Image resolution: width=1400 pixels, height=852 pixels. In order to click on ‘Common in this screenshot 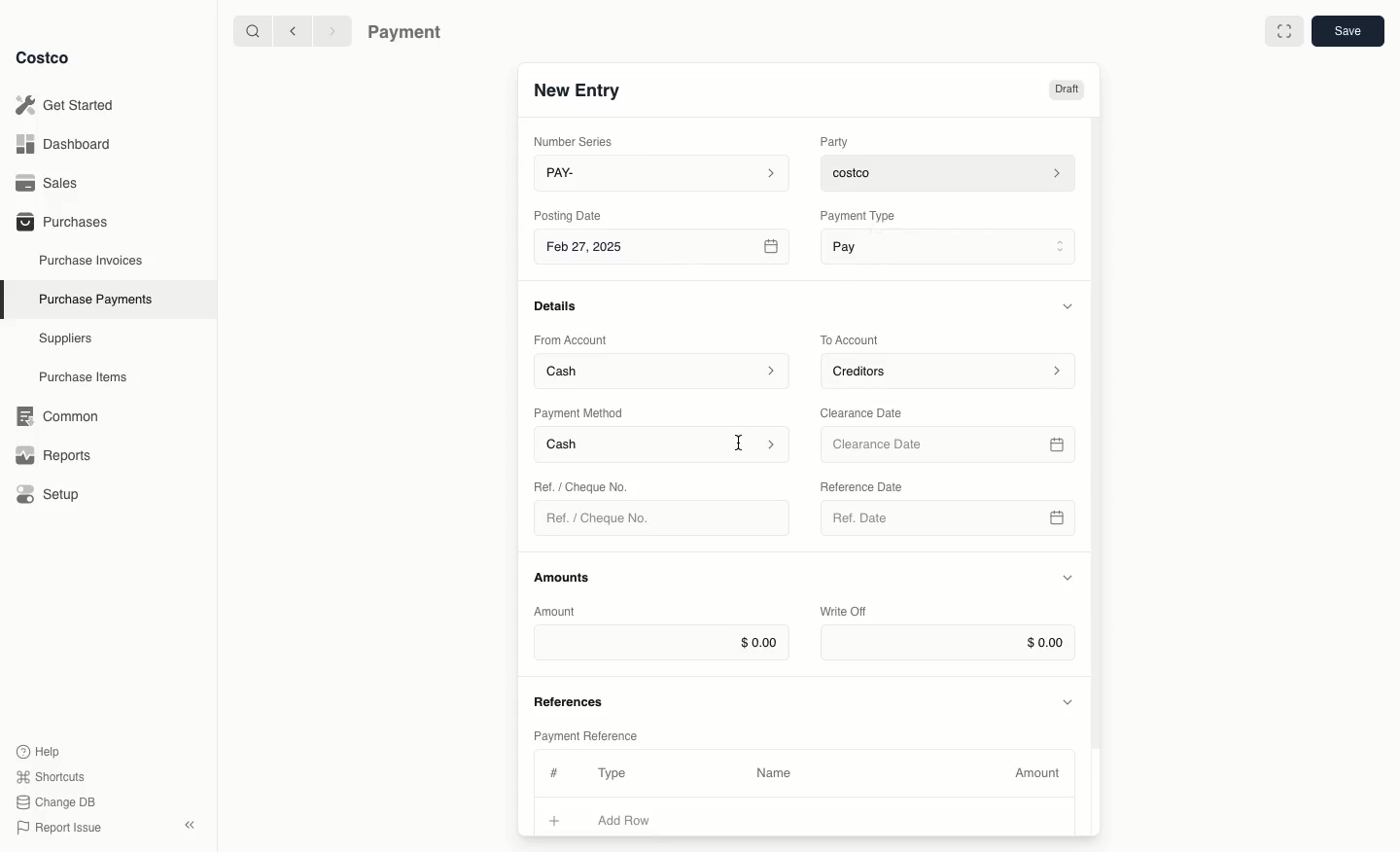, I will do `click(61, 413)`.